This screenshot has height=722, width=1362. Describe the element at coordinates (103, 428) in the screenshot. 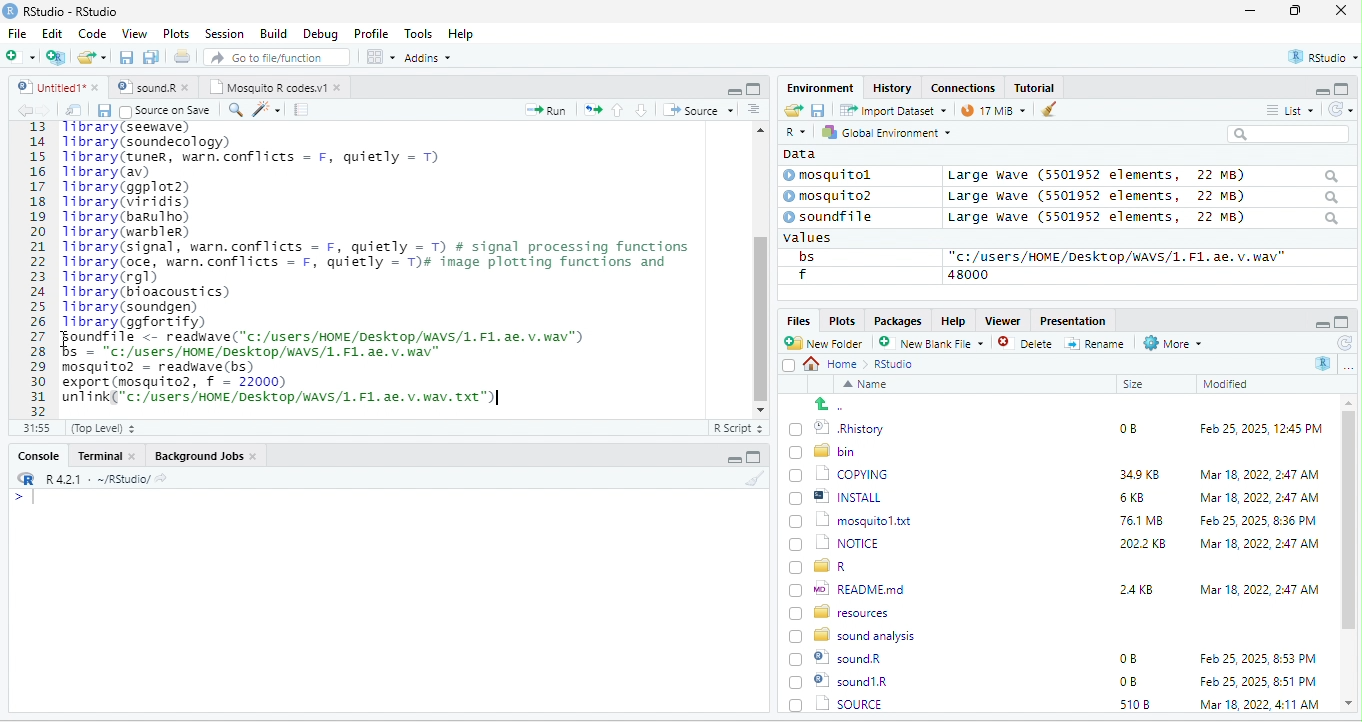

I see `(Top Level) +` at that location.